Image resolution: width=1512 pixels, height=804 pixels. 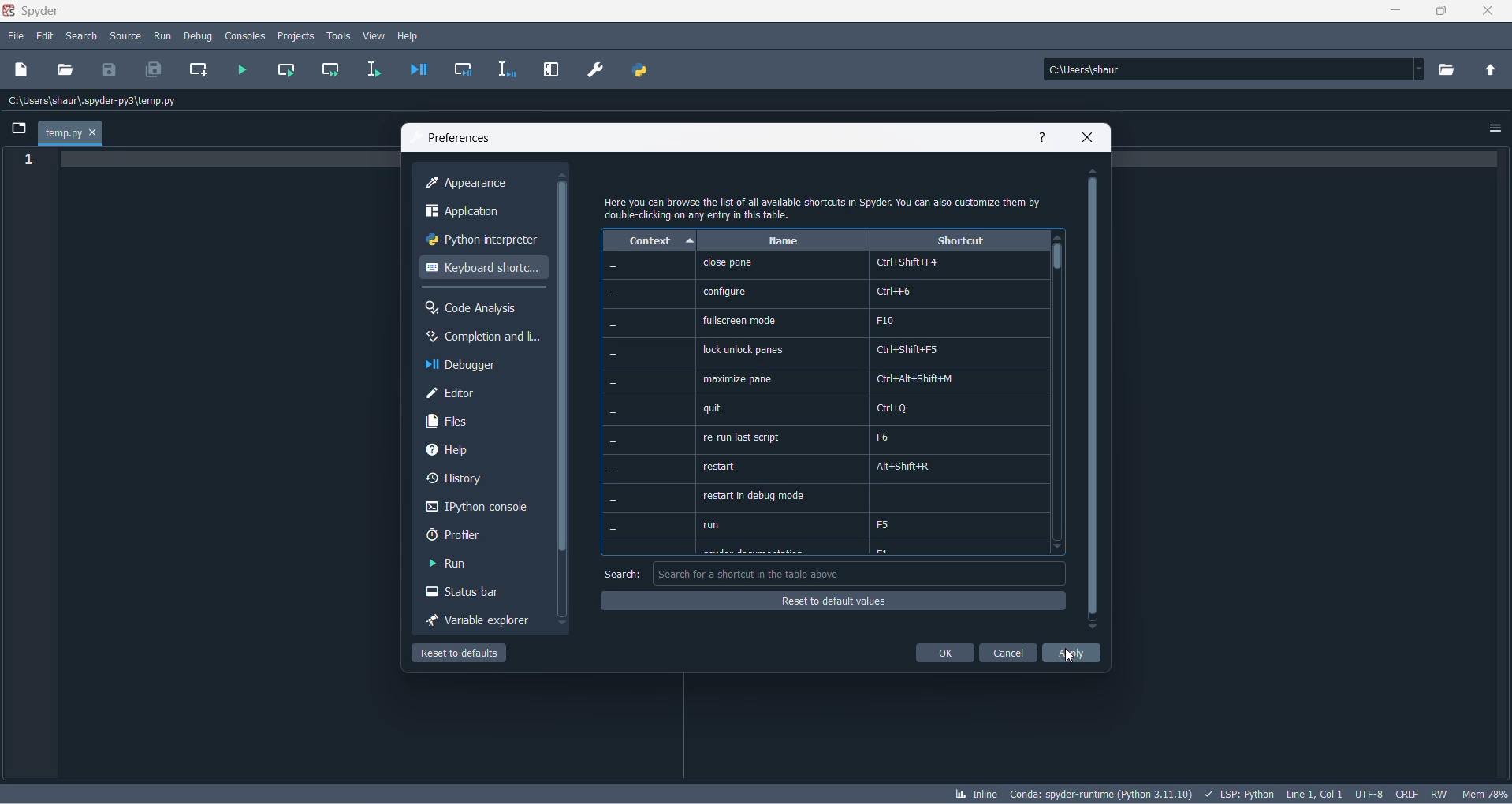 What do you see at coordinates (479, 308) in the screenshot?
I see `code analysis` at bounding box center [479, 308].